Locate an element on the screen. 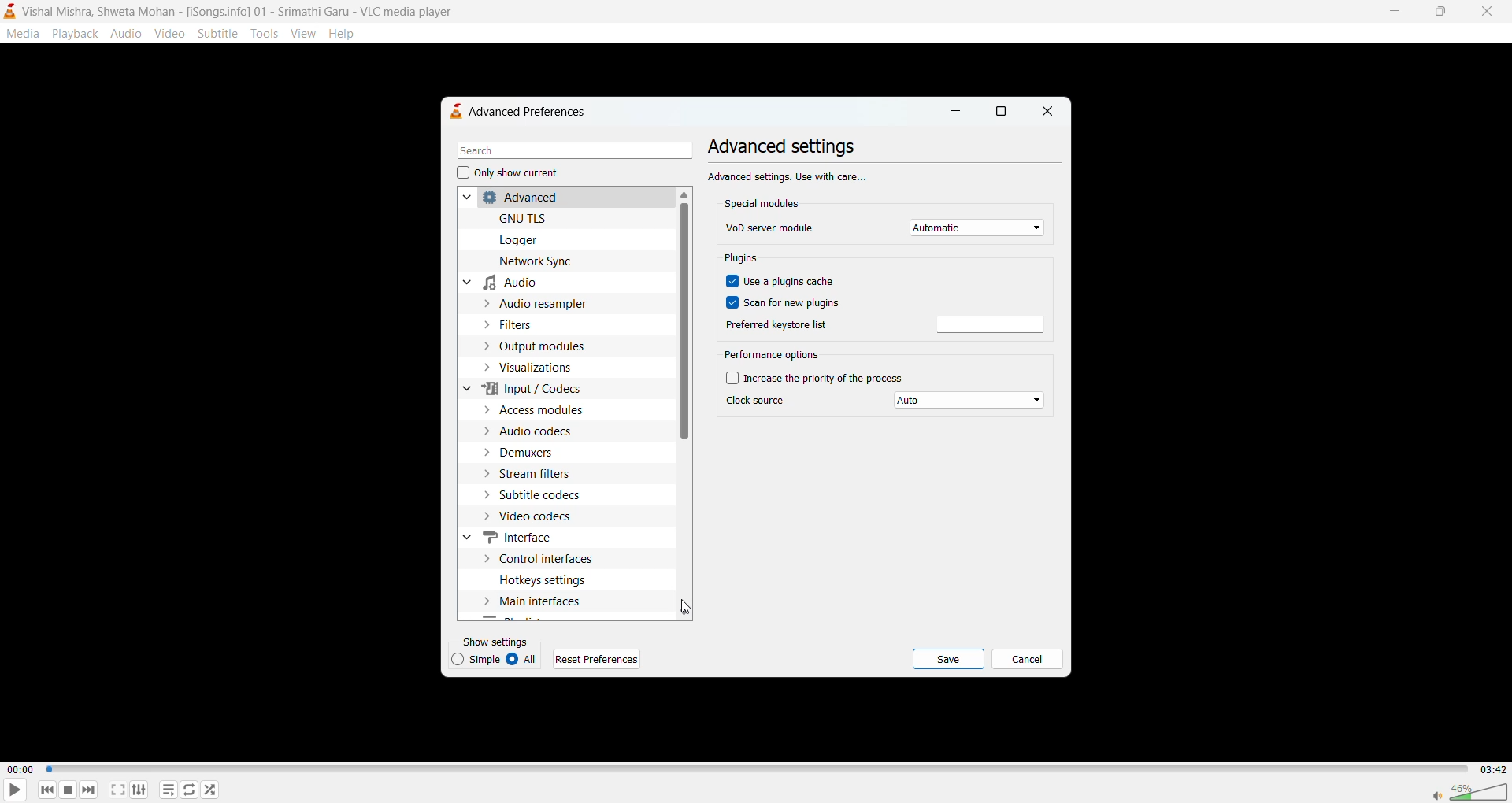  random is located at coordinates (210, 789).